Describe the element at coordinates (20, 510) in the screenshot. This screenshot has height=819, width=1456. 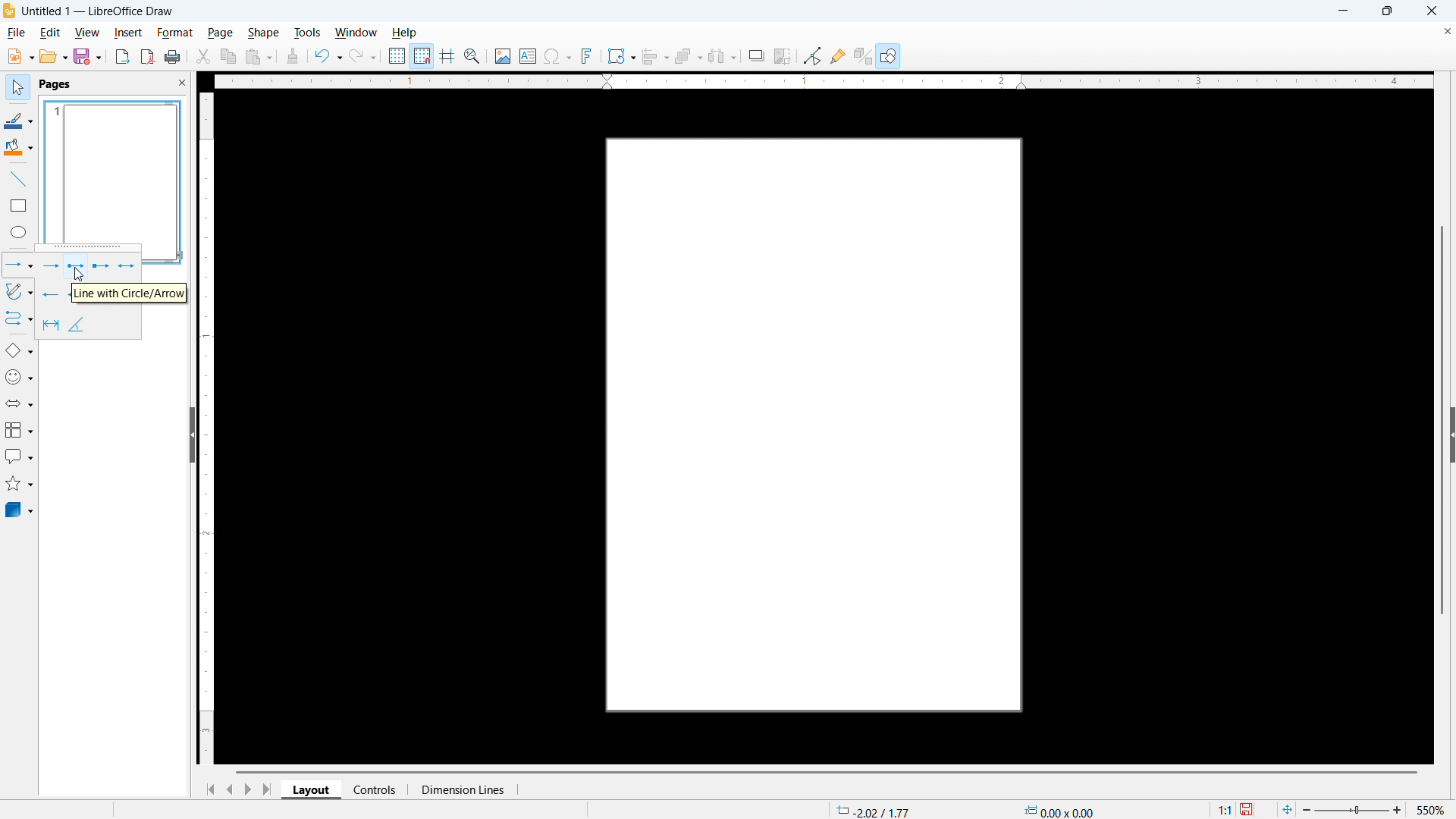
I see `3d objects` at that location.